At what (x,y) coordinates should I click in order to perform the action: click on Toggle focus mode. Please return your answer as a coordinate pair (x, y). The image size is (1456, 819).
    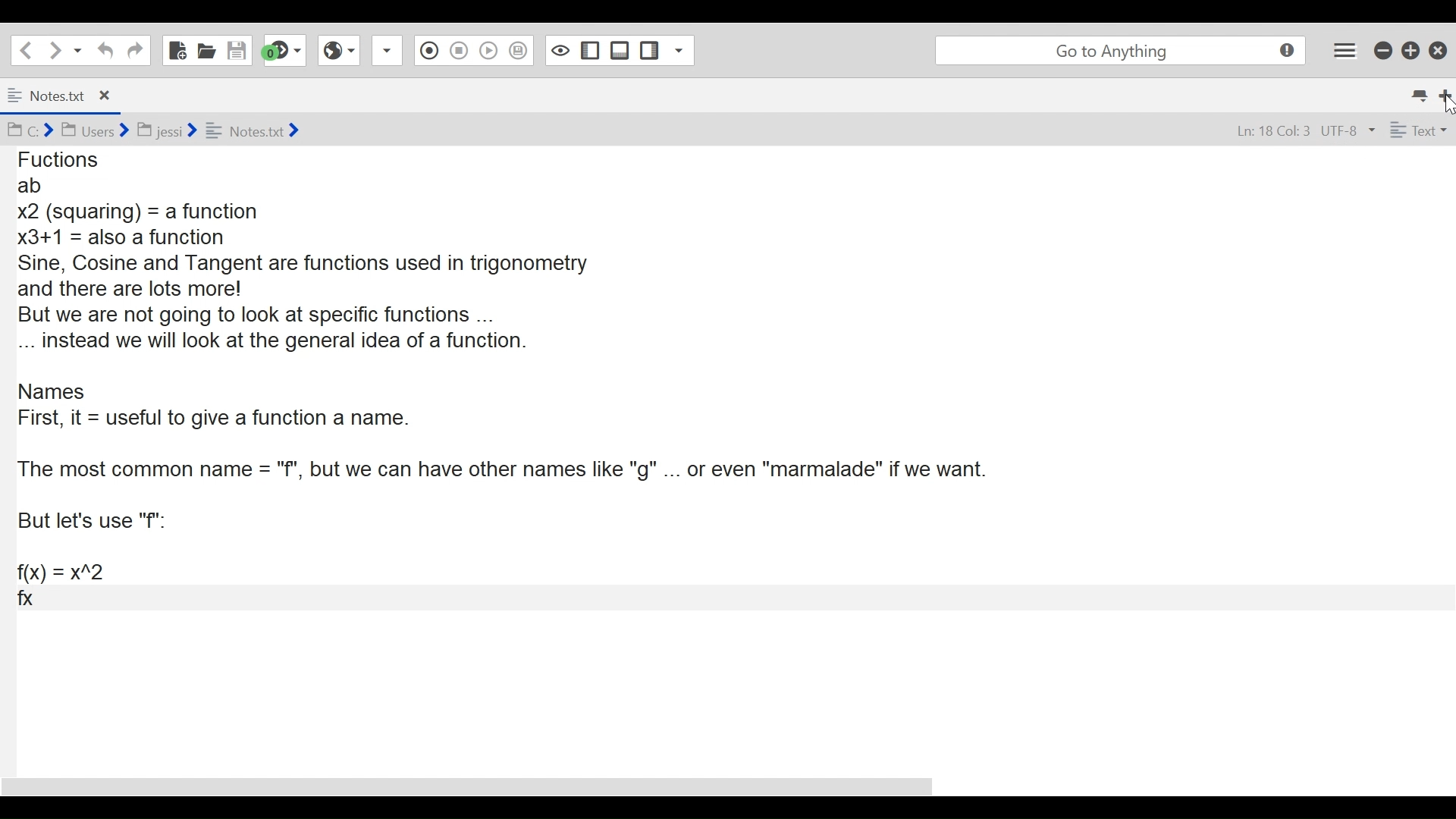
    Looking at the image, I should click on (558, 50).